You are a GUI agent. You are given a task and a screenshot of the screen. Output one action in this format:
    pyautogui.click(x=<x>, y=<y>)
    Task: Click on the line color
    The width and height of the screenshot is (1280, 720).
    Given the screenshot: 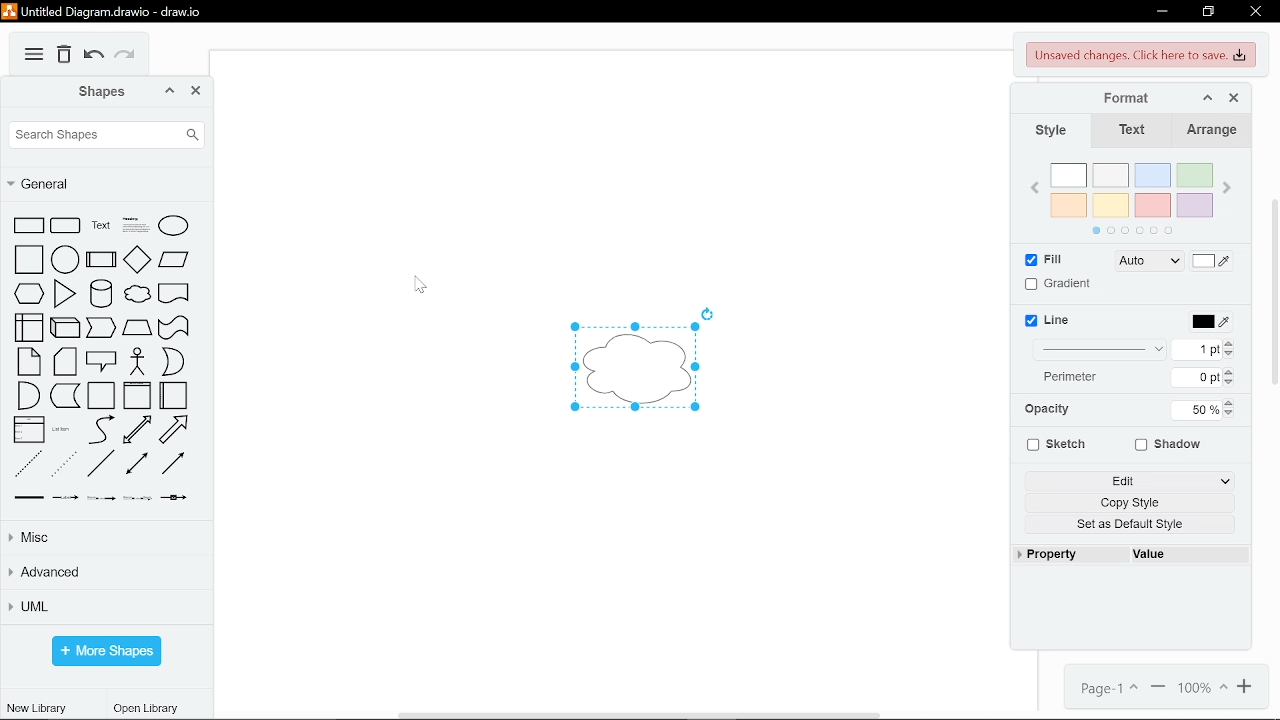 What is the action you would take?
    pyautogui.click(x=1209, y=322)
    